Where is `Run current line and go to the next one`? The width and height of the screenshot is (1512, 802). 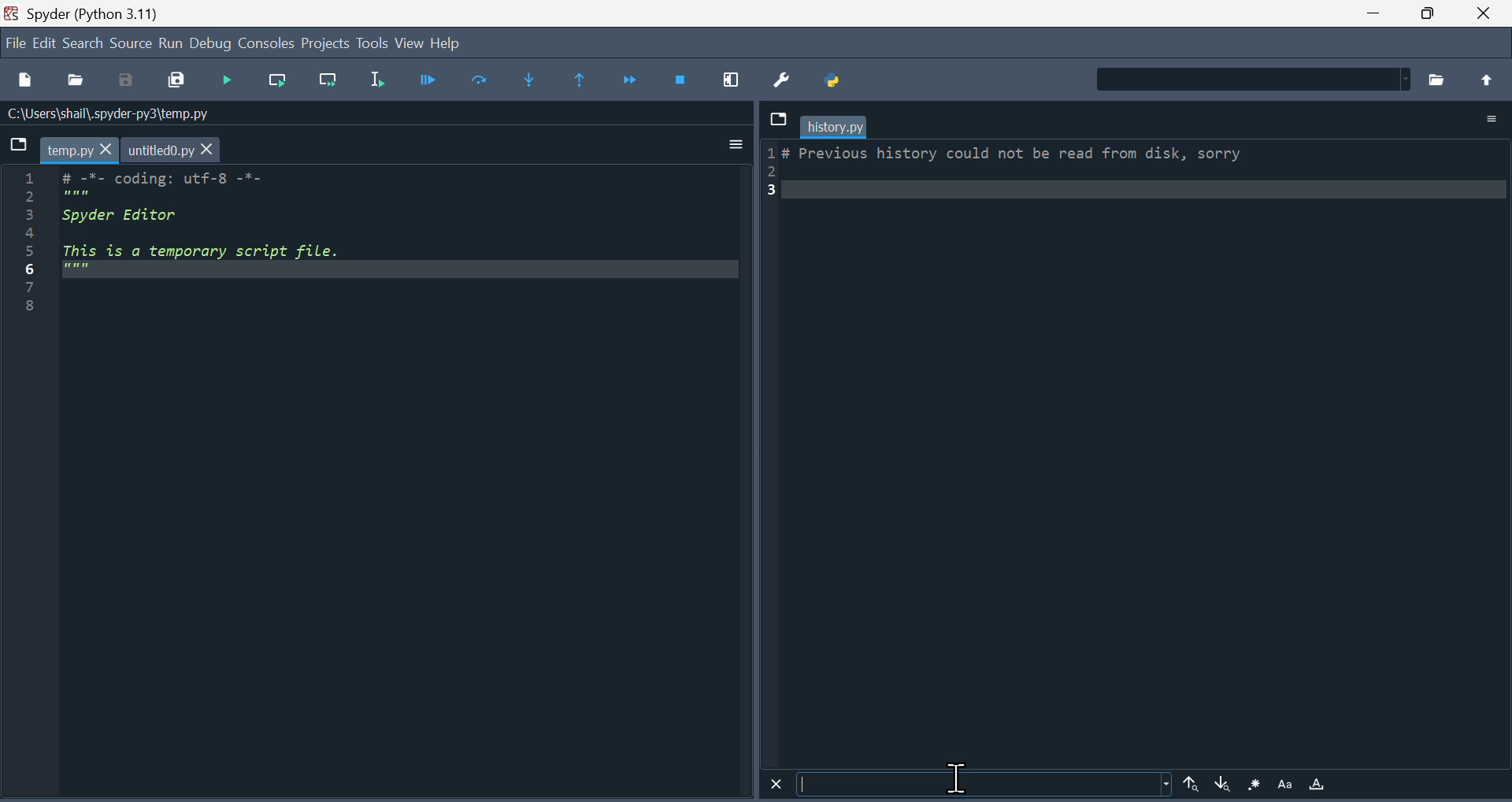 Run current line and go to the next one is located at coordinates (328, 84).